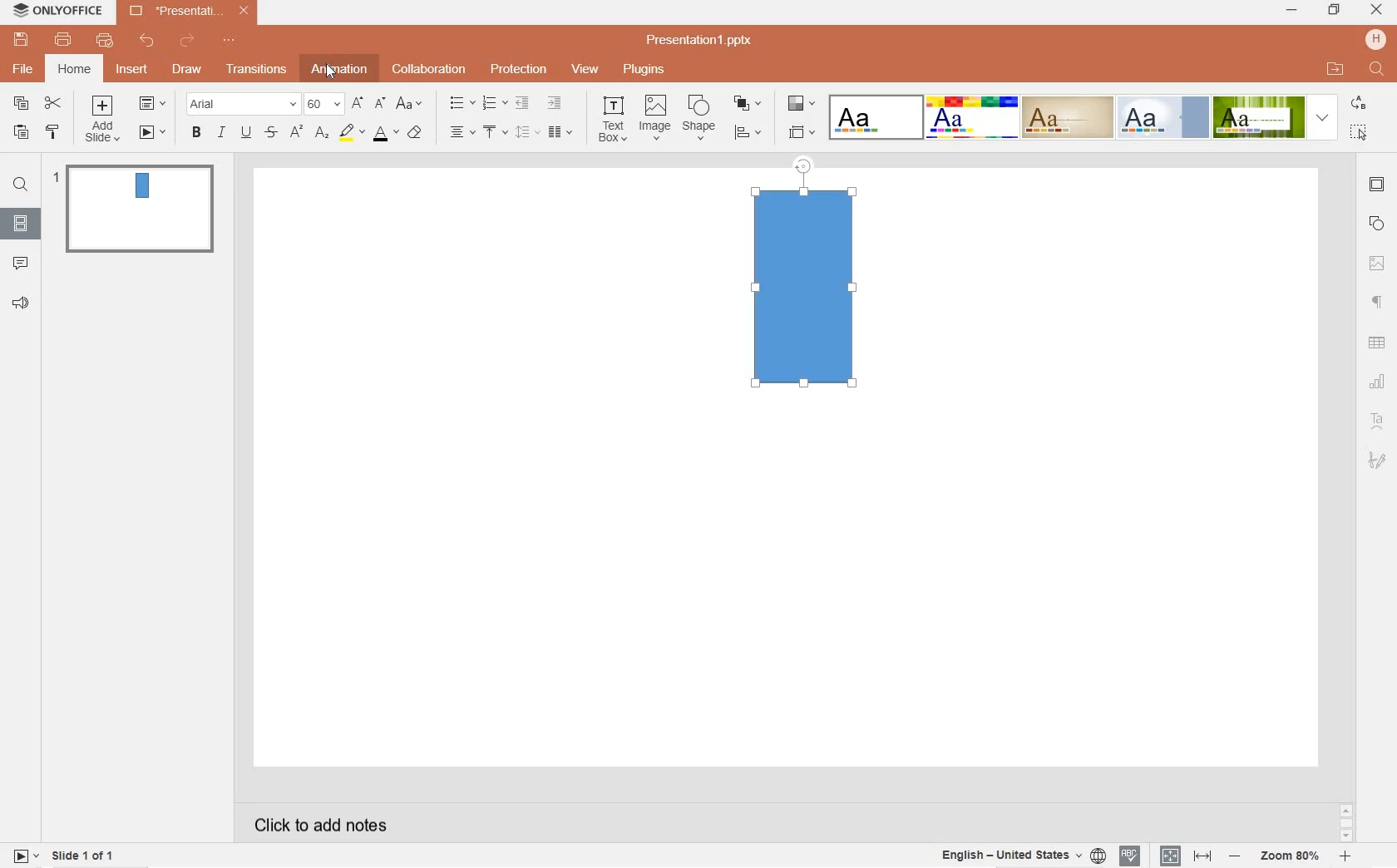  I want to click on protection, so click(518, 71).